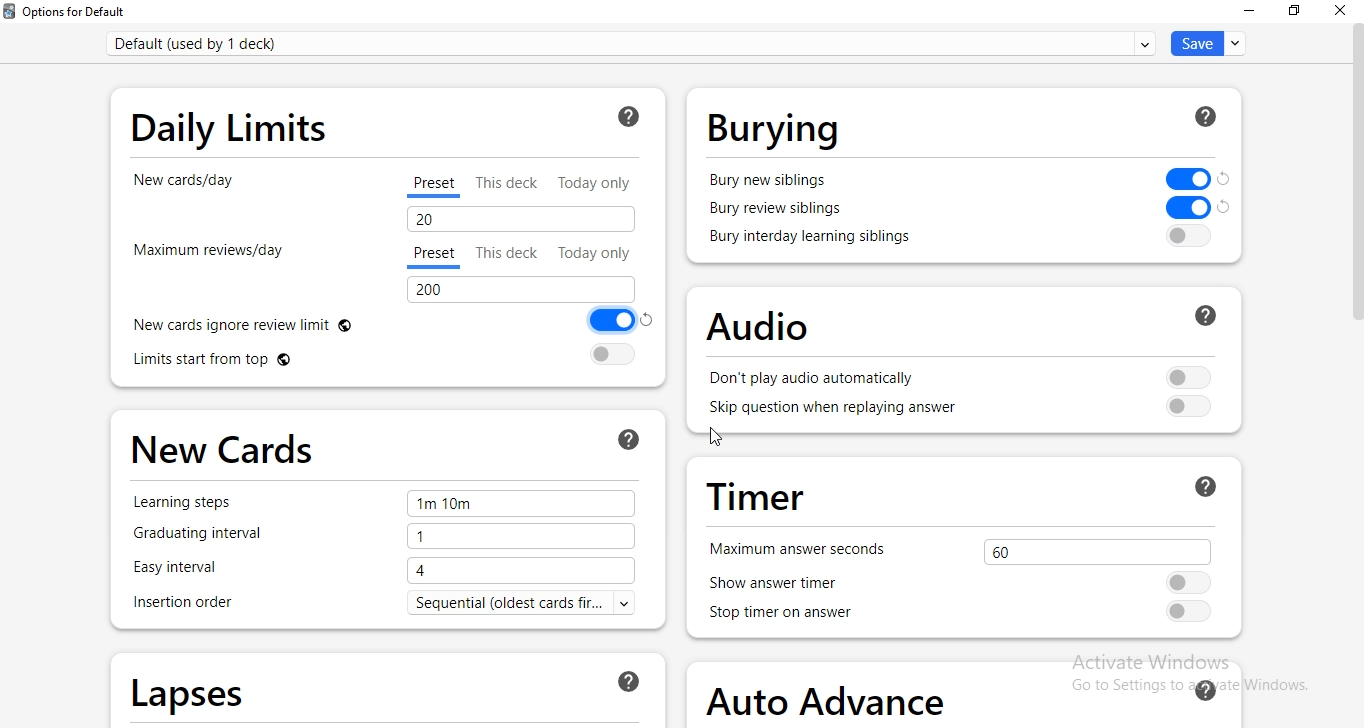 This screenshot has height=728, width=1364. I want to click on new cards, so click(224, 443).